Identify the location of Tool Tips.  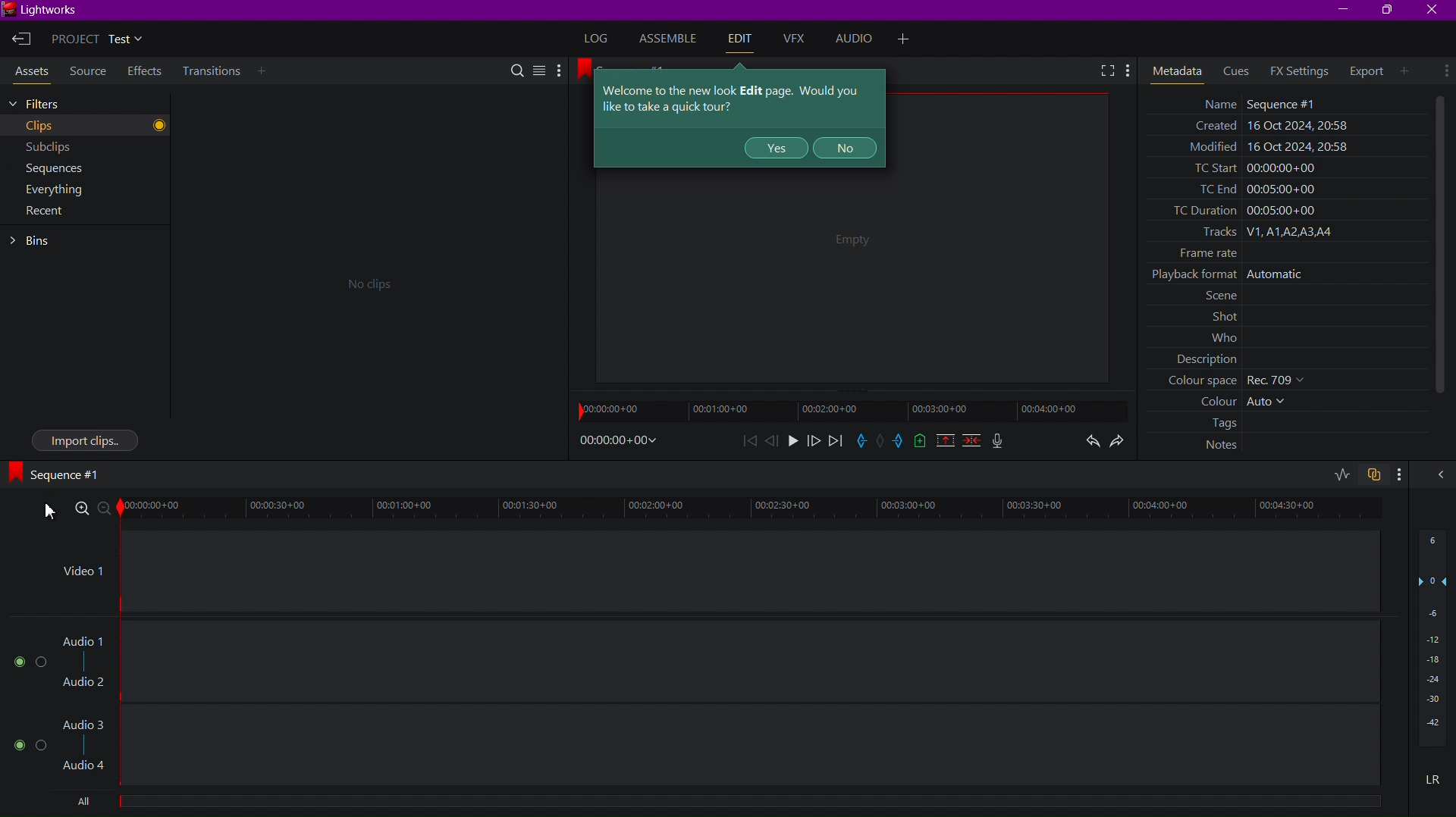
(734, 96).